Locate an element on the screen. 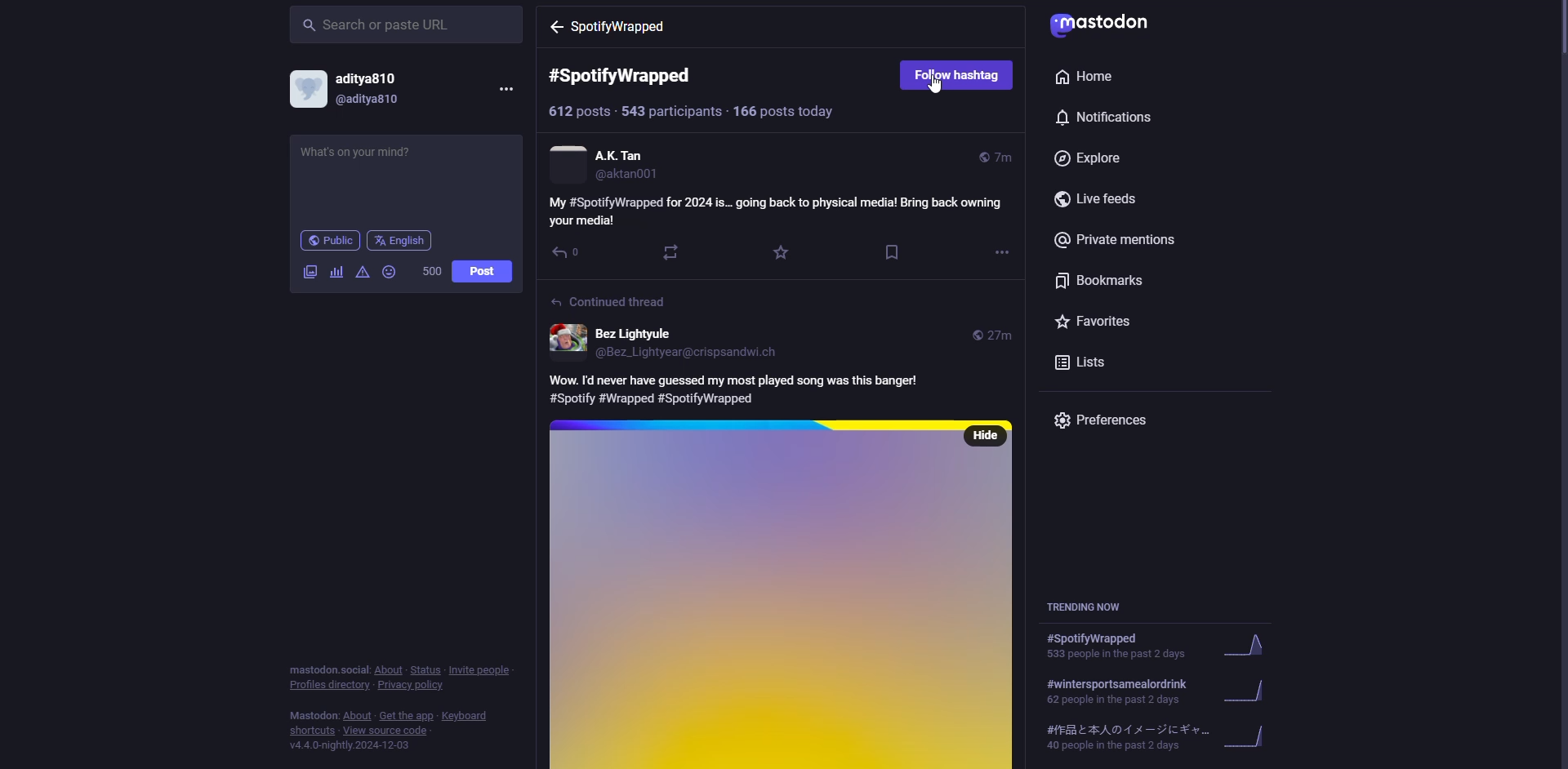  trending  is located at coordinates (1152, 736).